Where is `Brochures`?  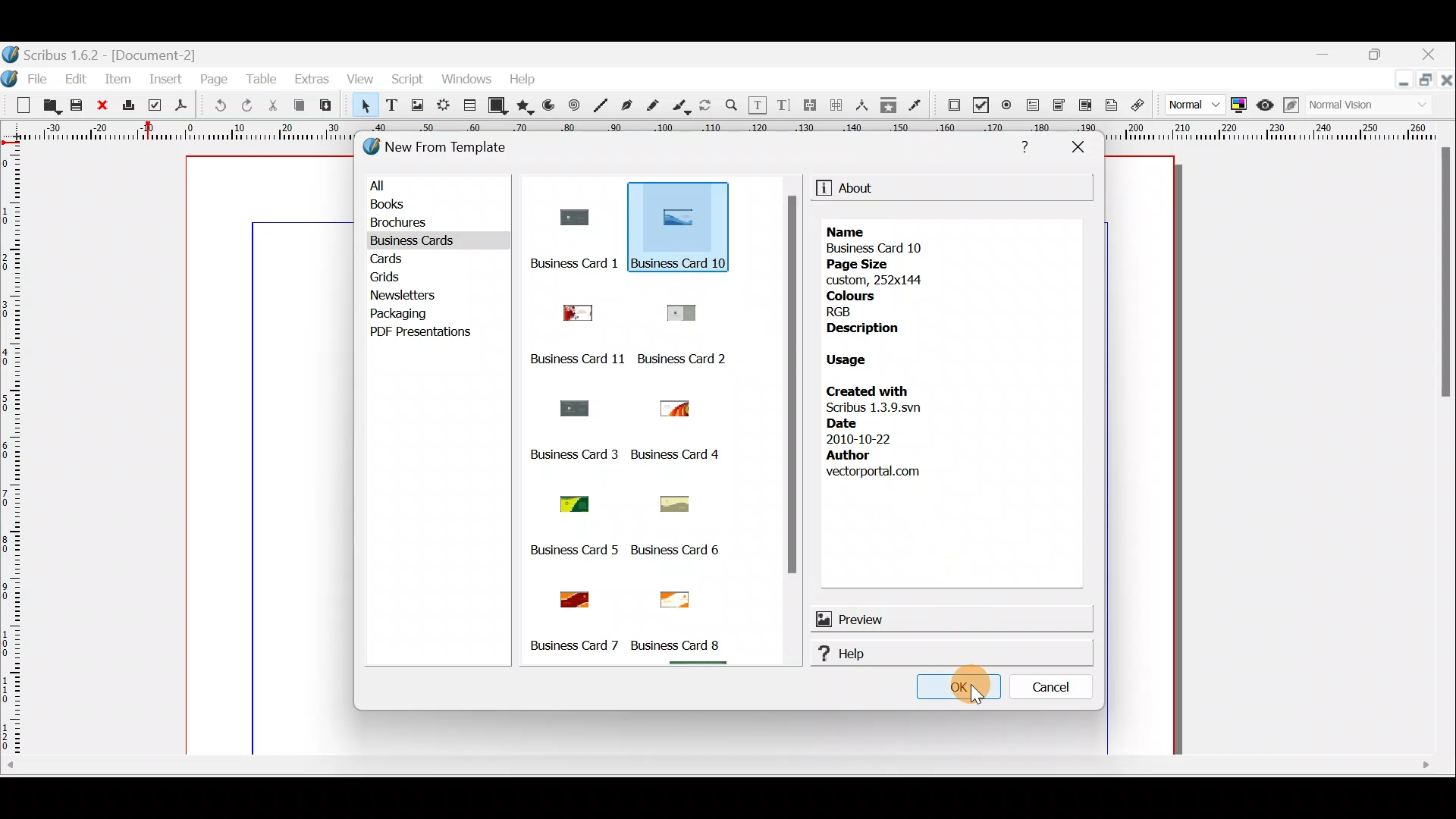
Brochures is located at coordinates (430, 227).